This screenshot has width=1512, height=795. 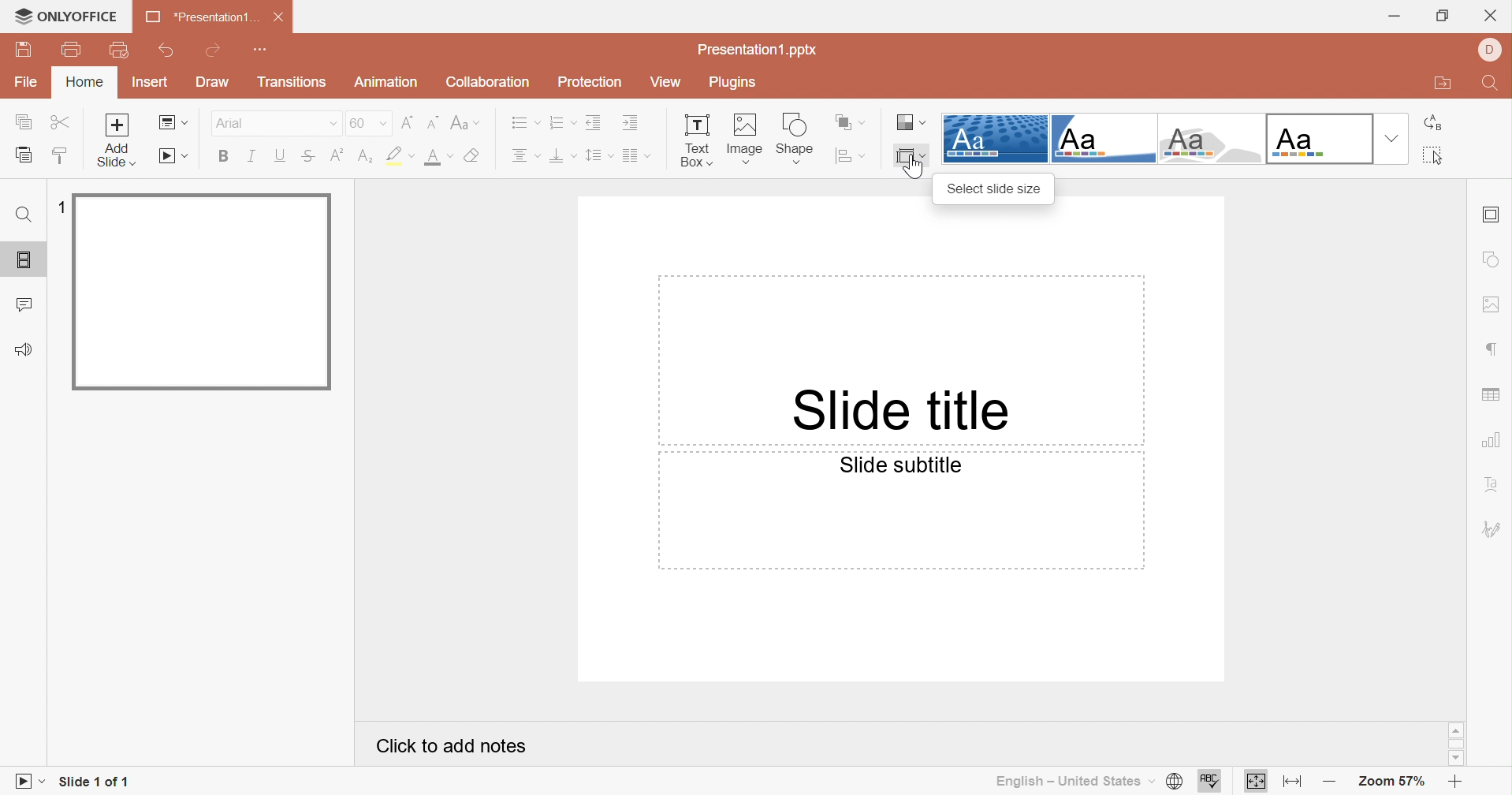 I want to click on Font, so click(x=272, y=121).